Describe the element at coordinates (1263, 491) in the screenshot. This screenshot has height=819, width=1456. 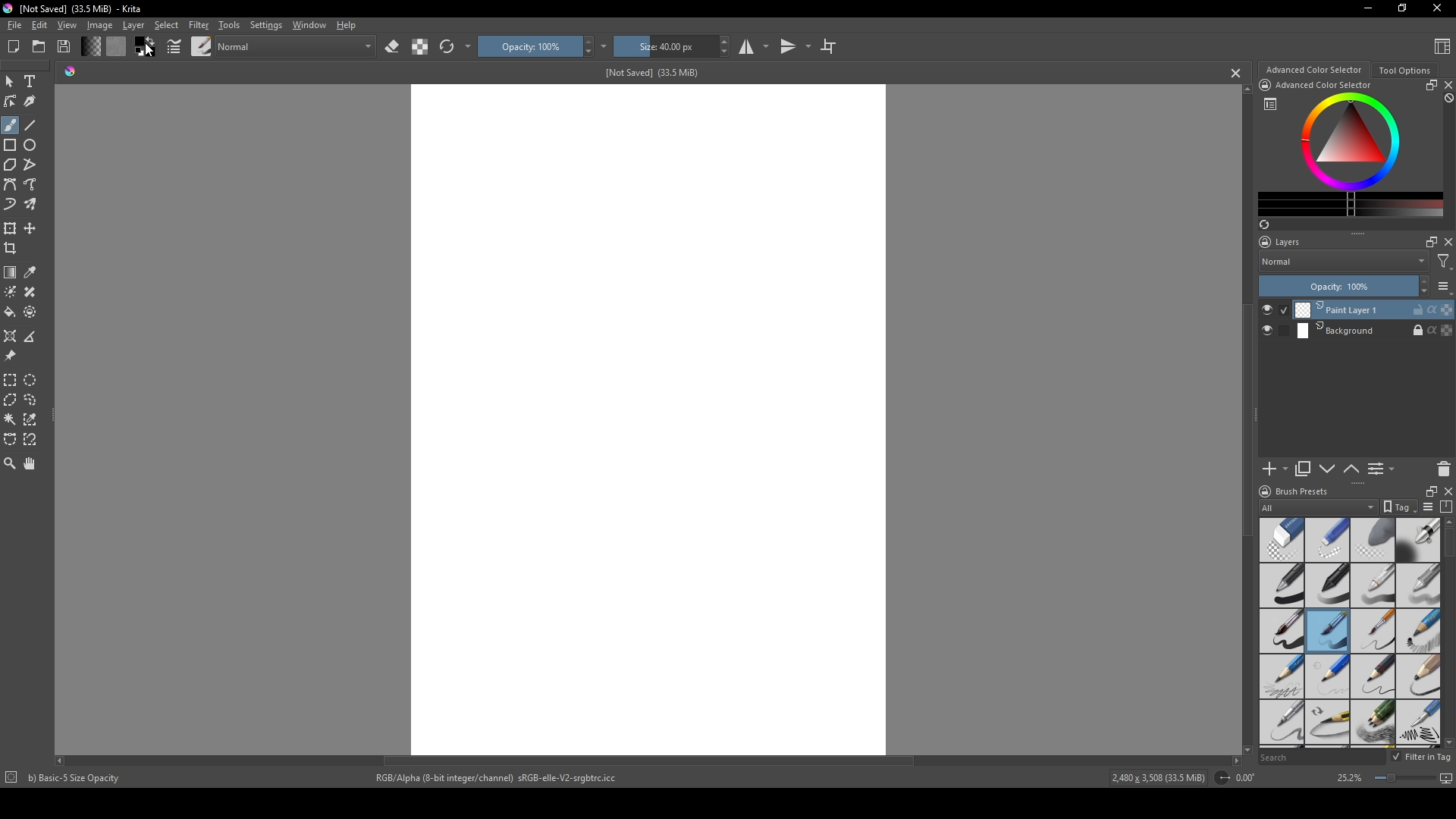
I see `logo` at that location.